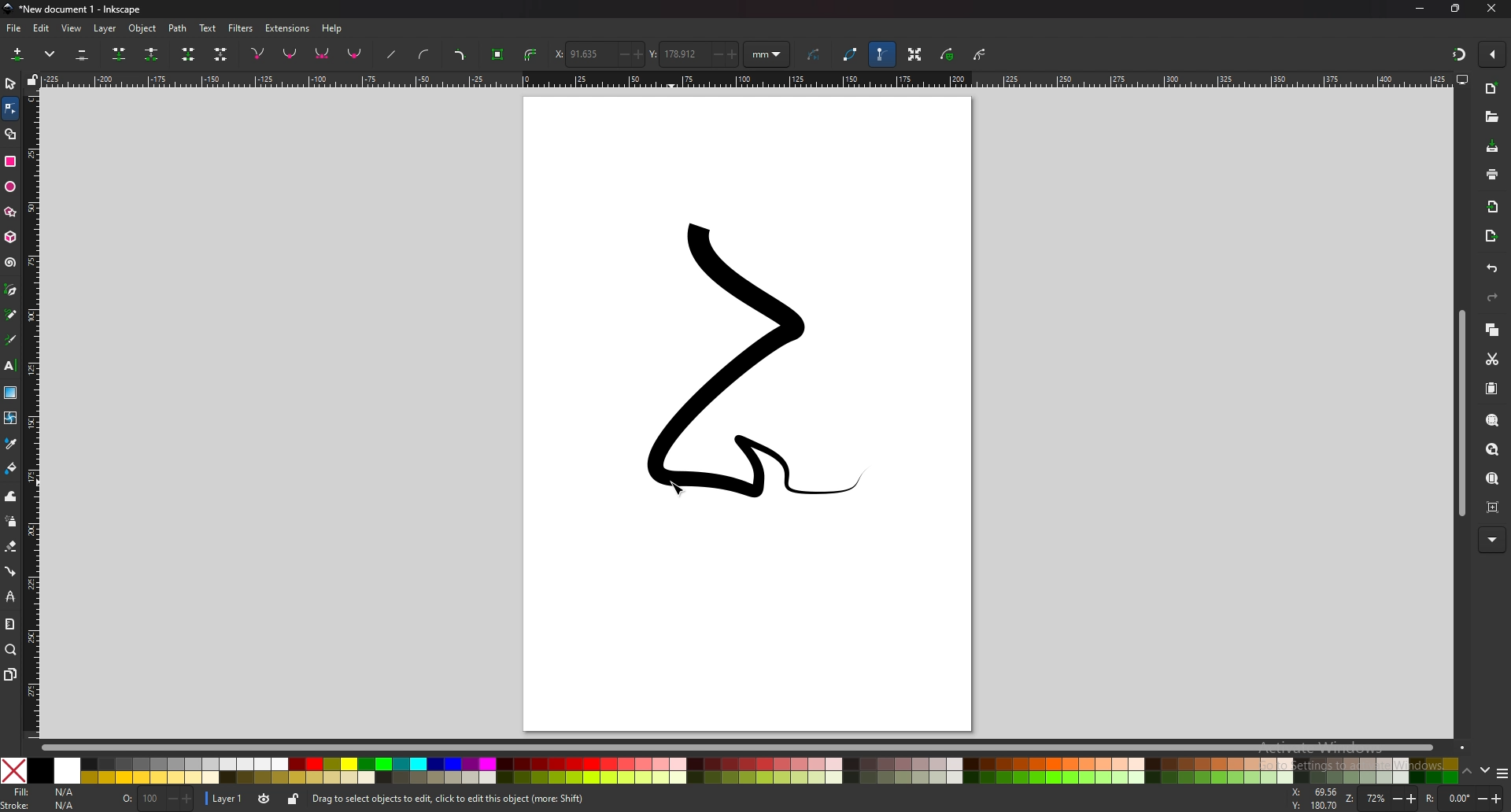  Describe the element at coordinates (16, 28) in the screenshot. I see `file` at that location.